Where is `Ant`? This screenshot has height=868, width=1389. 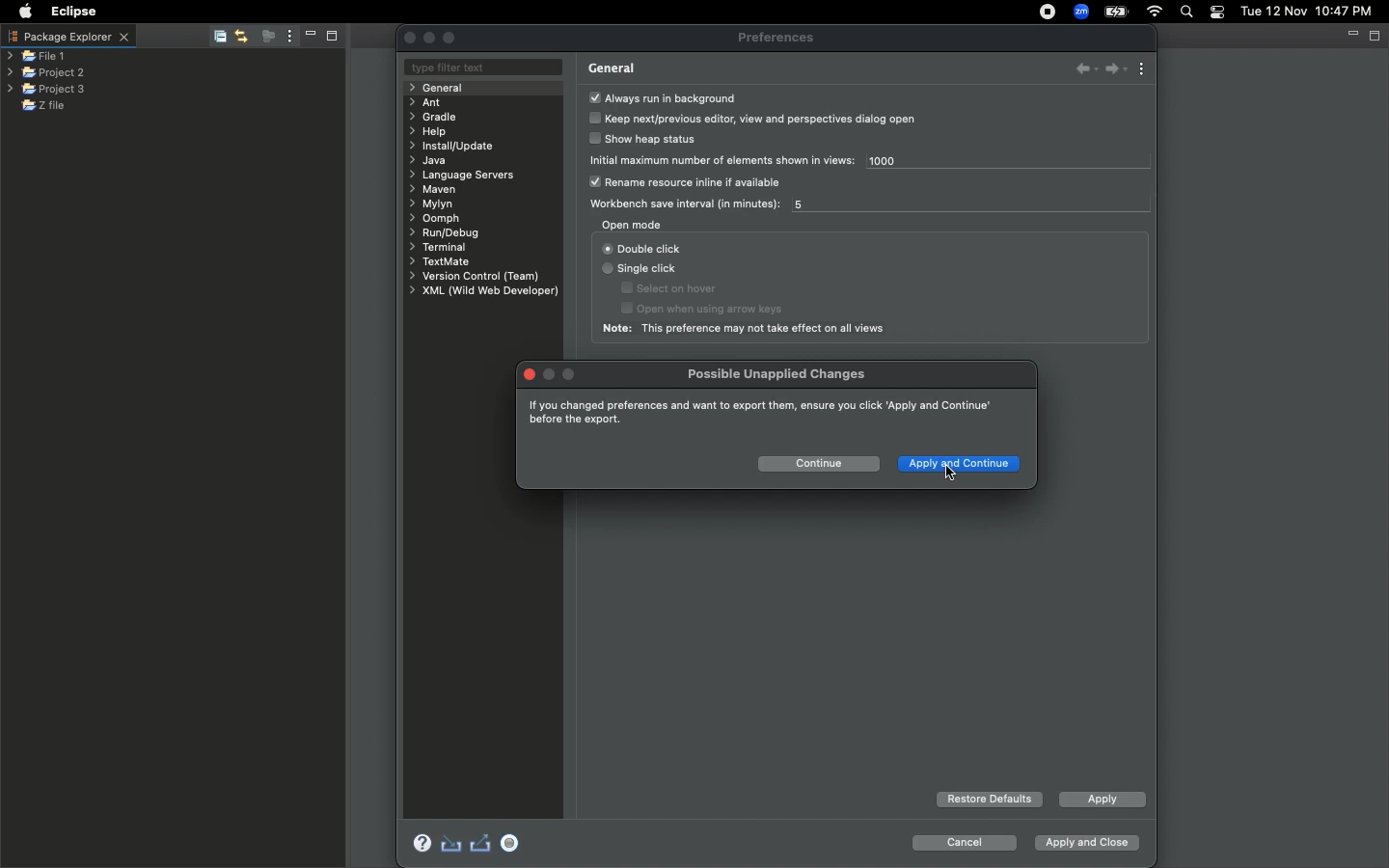 Ant is located at coordinates (426, 102).